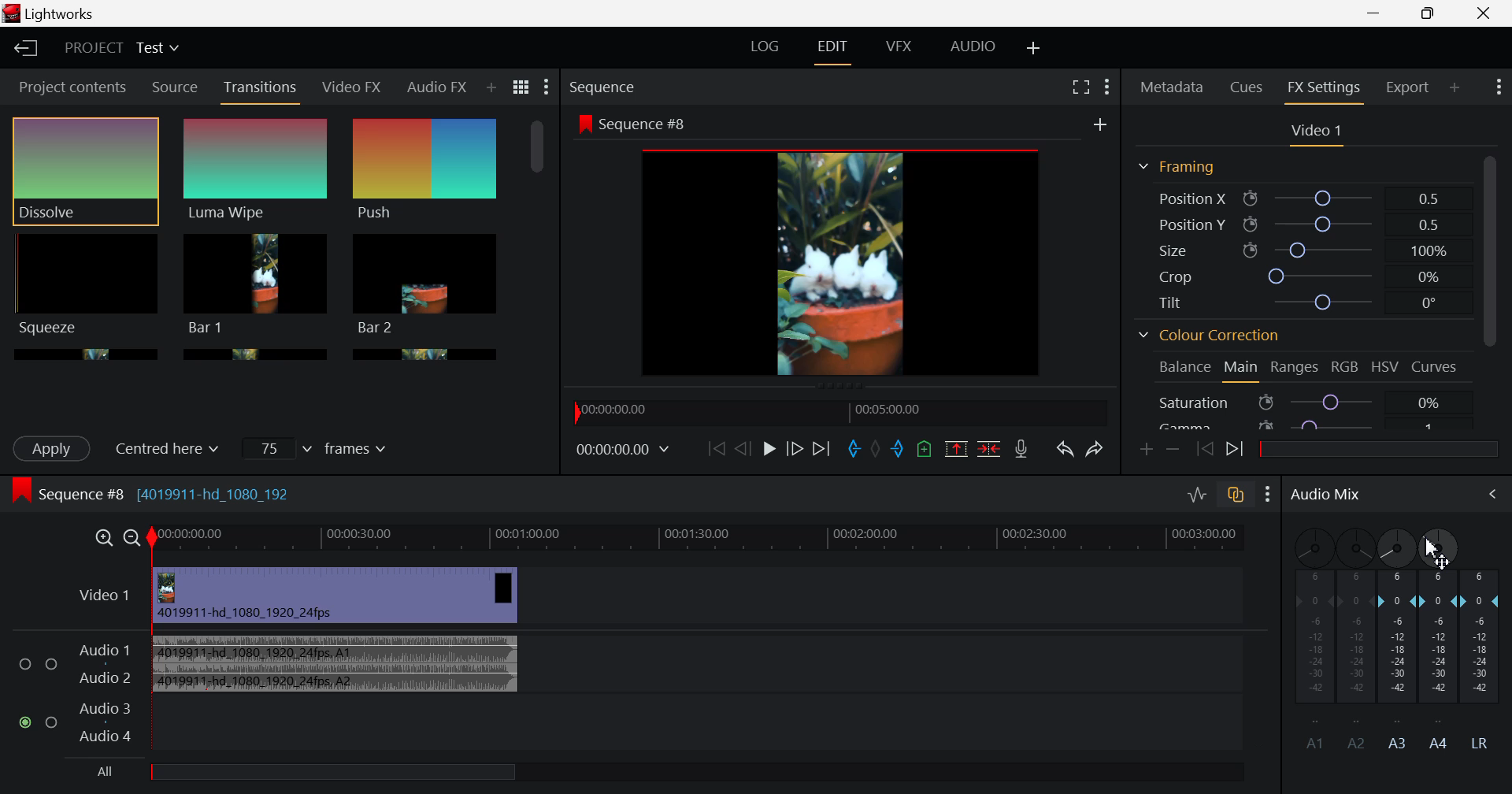  I want to click on Timeline Track, so click(713, 538).